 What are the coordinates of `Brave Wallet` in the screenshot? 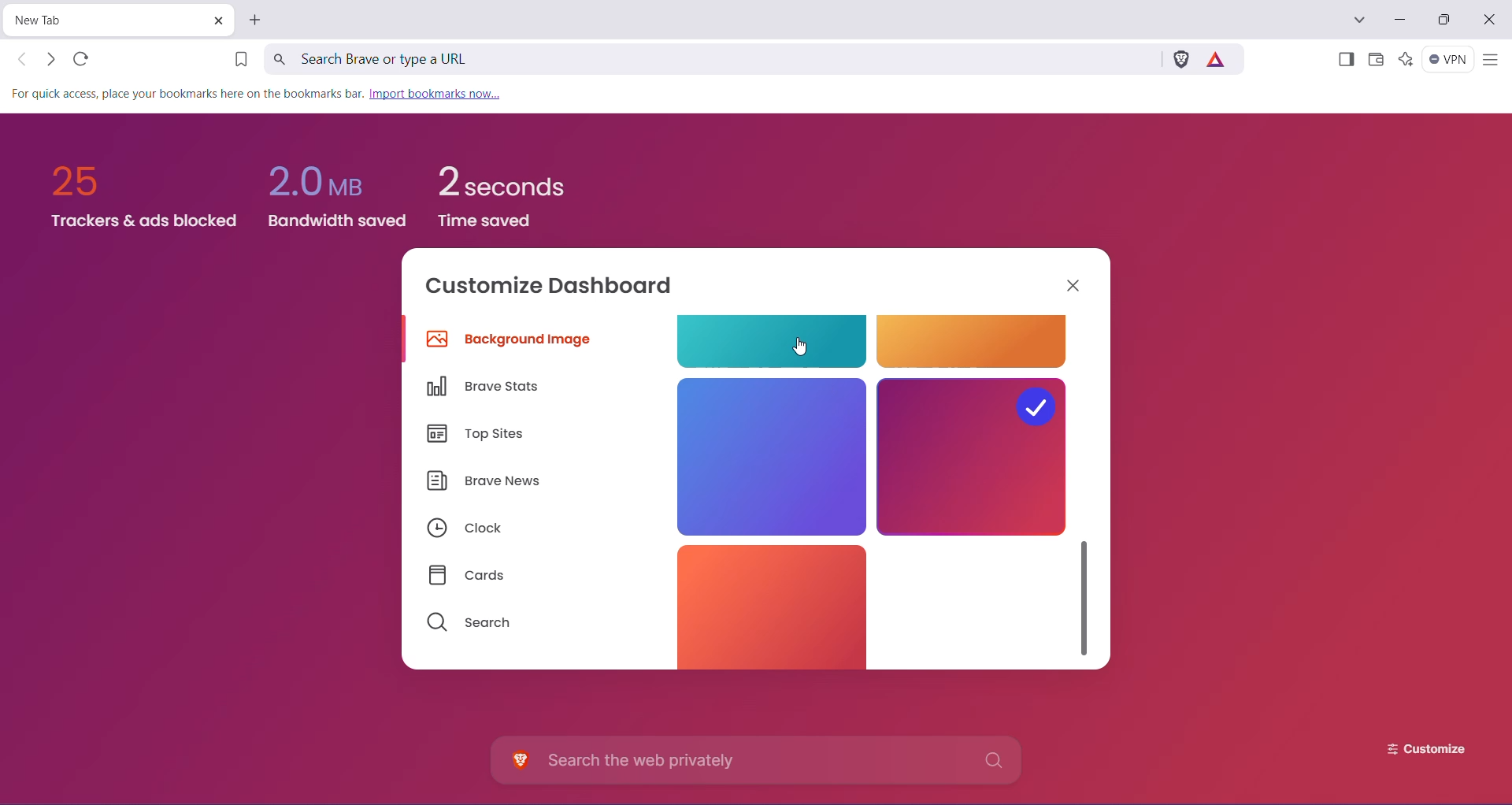 It's located at (1376, 61).